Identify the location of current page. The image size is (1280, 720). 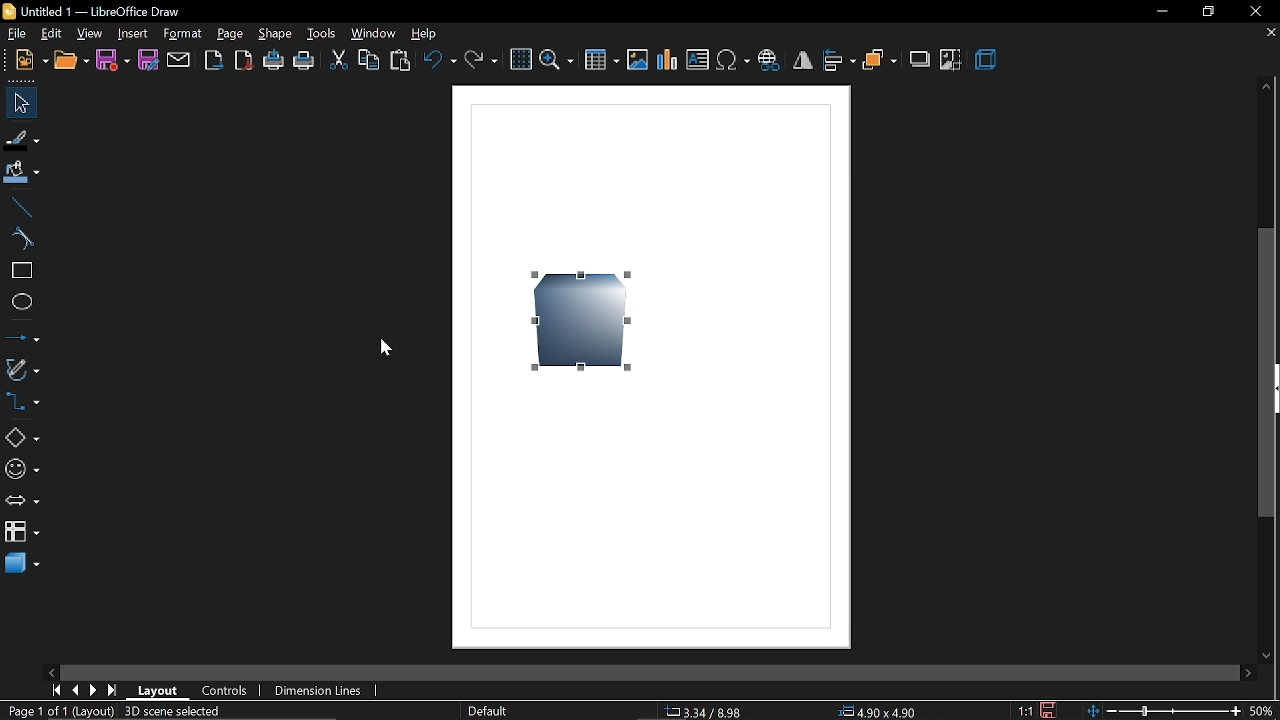
(58, 712).